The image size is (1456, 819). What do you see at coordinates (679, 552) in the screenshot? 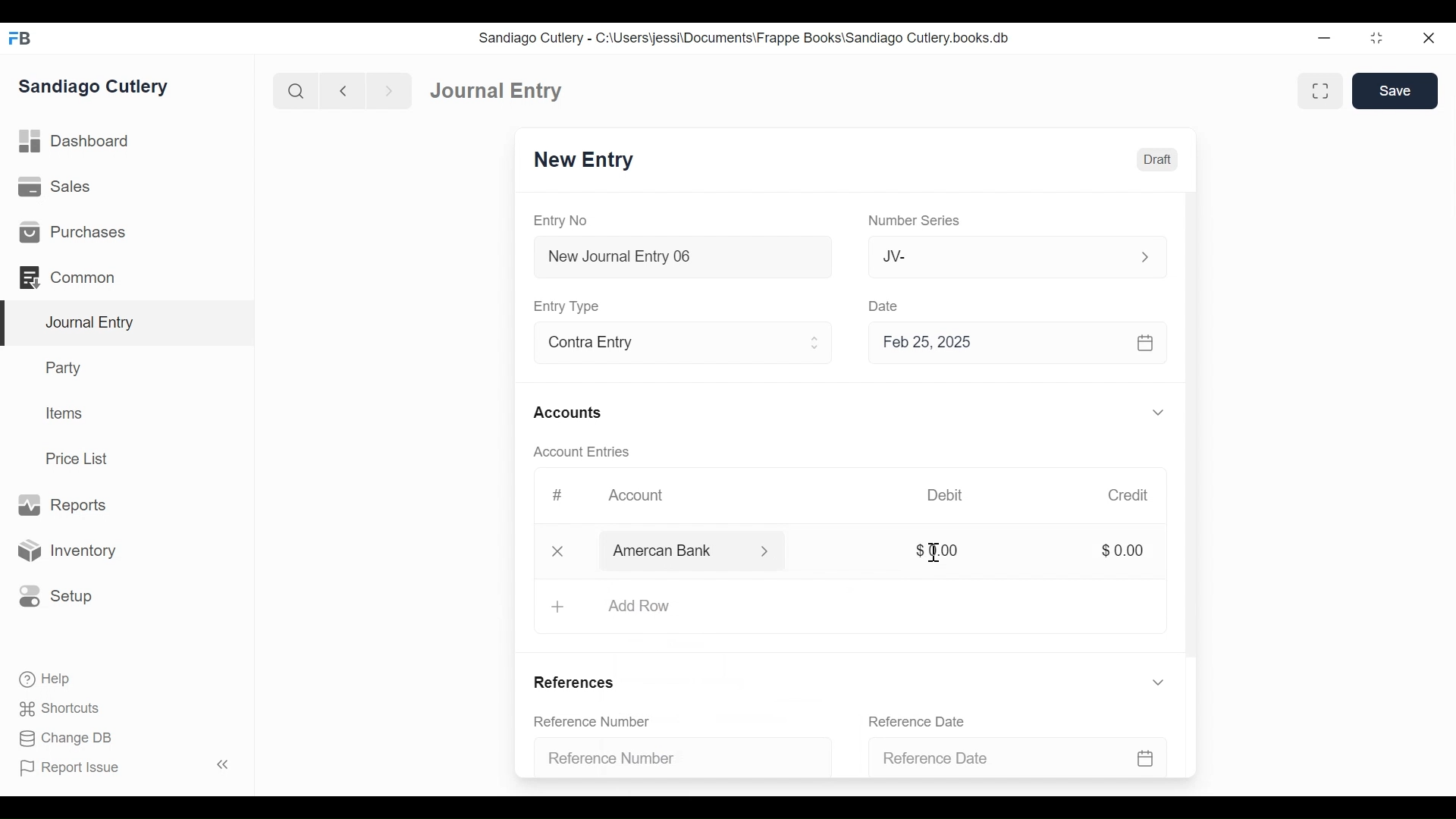
I see `Amercan Bank` at bounding box center [679, 552].